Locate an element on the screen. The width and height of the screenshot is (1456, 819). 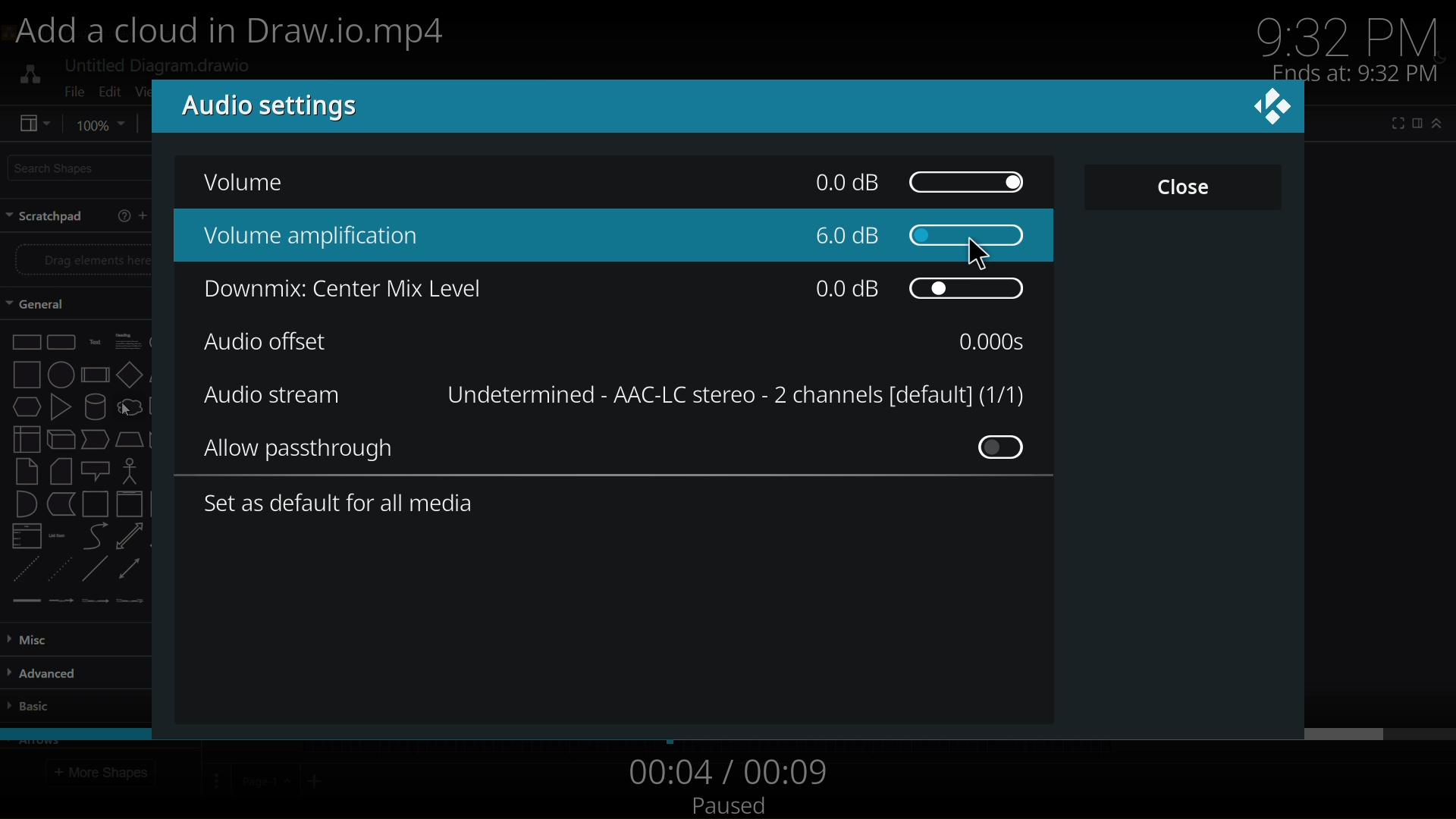
Volume 0.0dB is located at coordinates (623, 184).